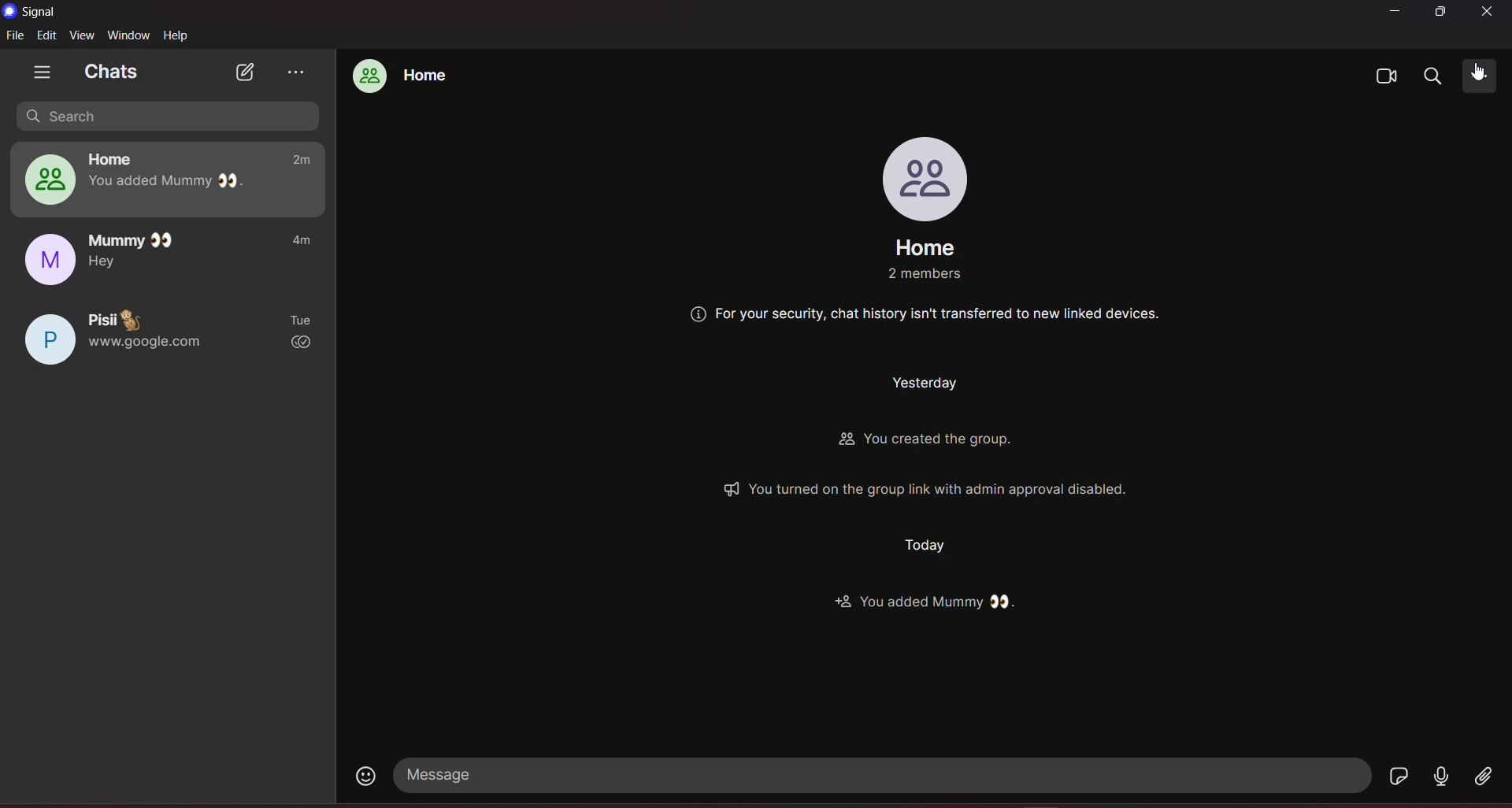 The width and height of the screenshot is (1512, 808). What do you see at coordinates (1440, 776) in the screenshot?
I see `voice message` at bounding box center [1440, 776].